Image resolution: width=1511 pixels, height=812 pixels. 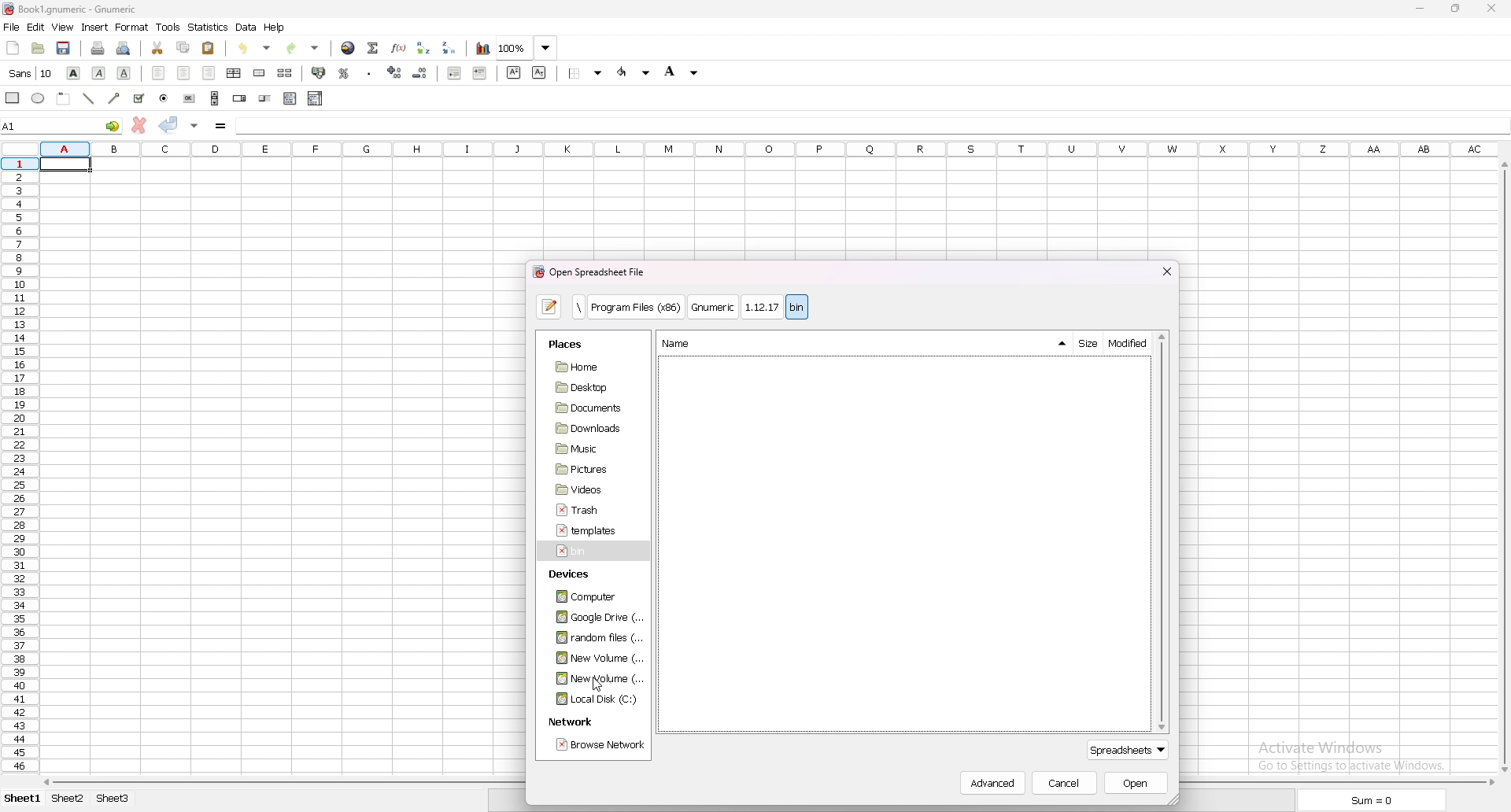 I want to click on trash, so click(x=585, y=511).